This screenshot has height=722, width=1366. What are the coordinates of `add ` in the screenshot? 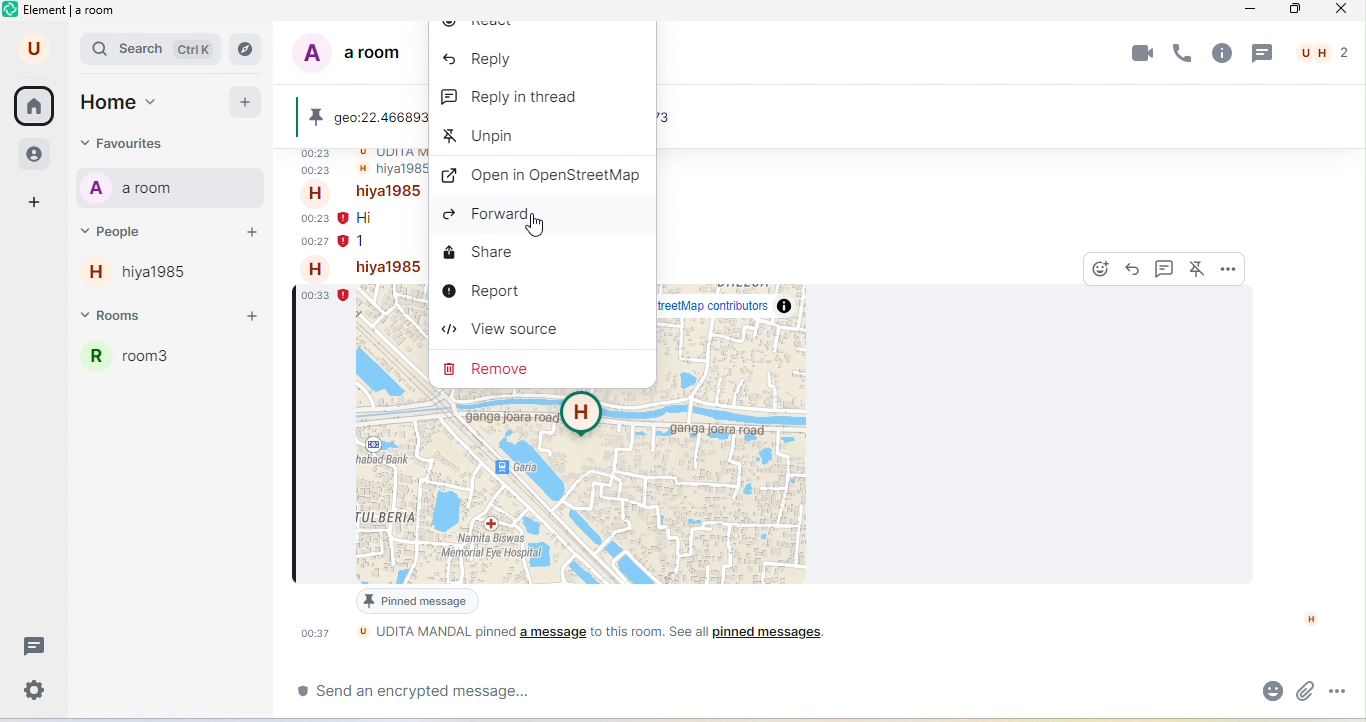 It's located at (246, 104).